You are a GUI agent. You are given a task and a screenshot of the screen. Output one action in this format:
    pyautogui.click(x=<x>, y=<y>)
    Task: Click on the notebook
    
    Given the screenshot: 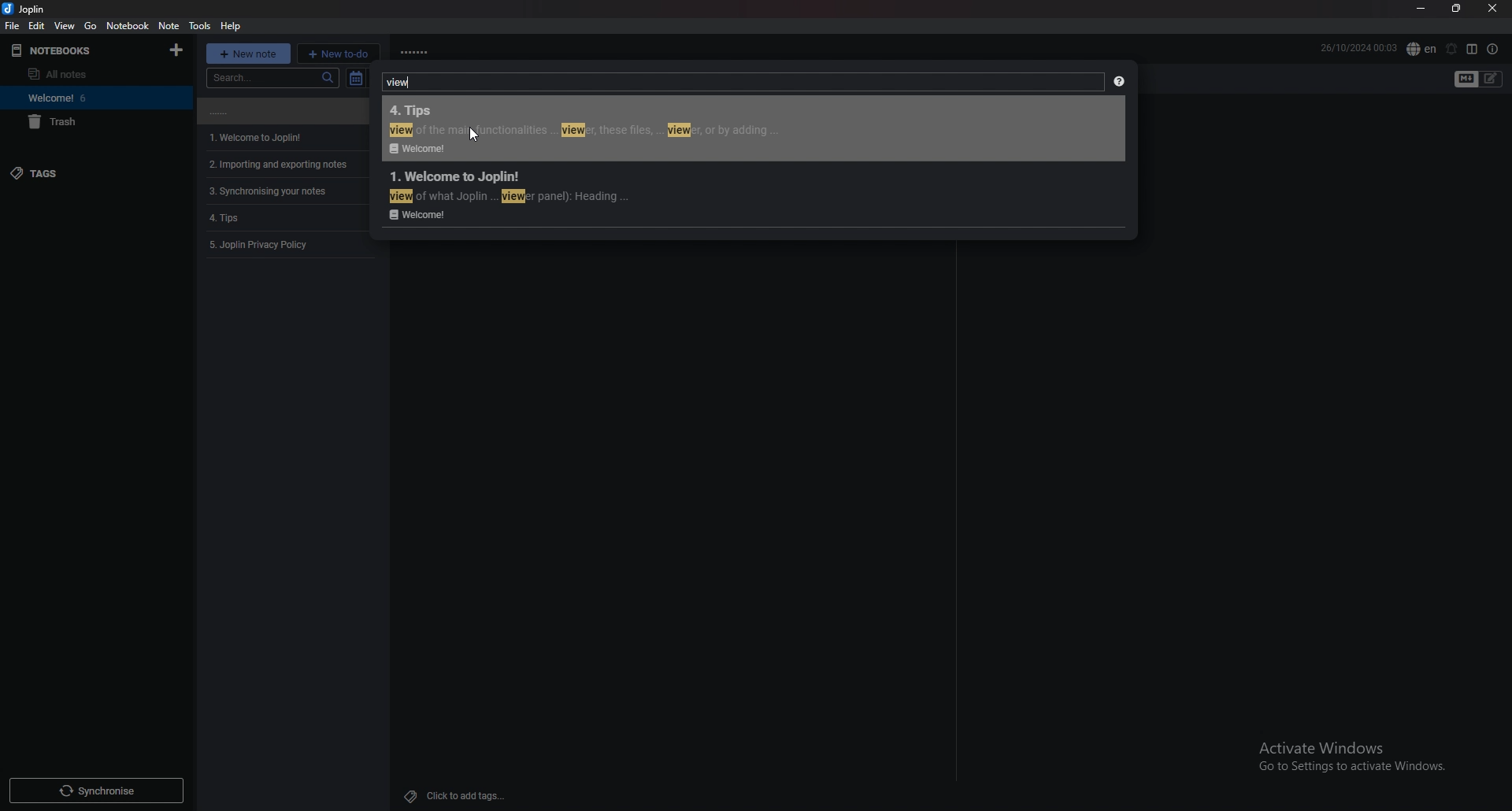 What is the action you would take?
    pyautogui.click(x=128, y=25)
    